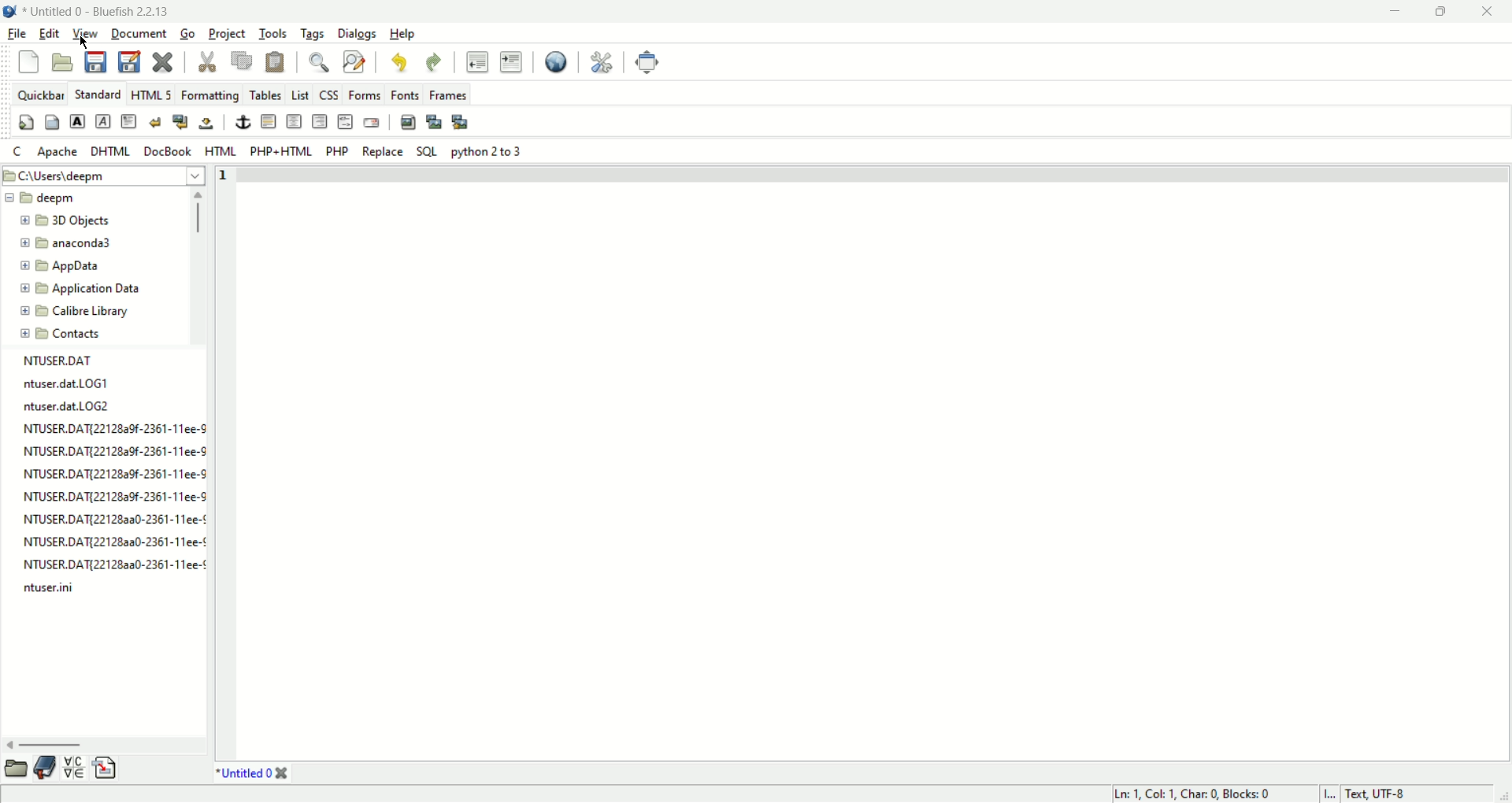  What do you see at coordinates (372, 124) in the screenshot?
I see `email` at bounding box center [372, 124].